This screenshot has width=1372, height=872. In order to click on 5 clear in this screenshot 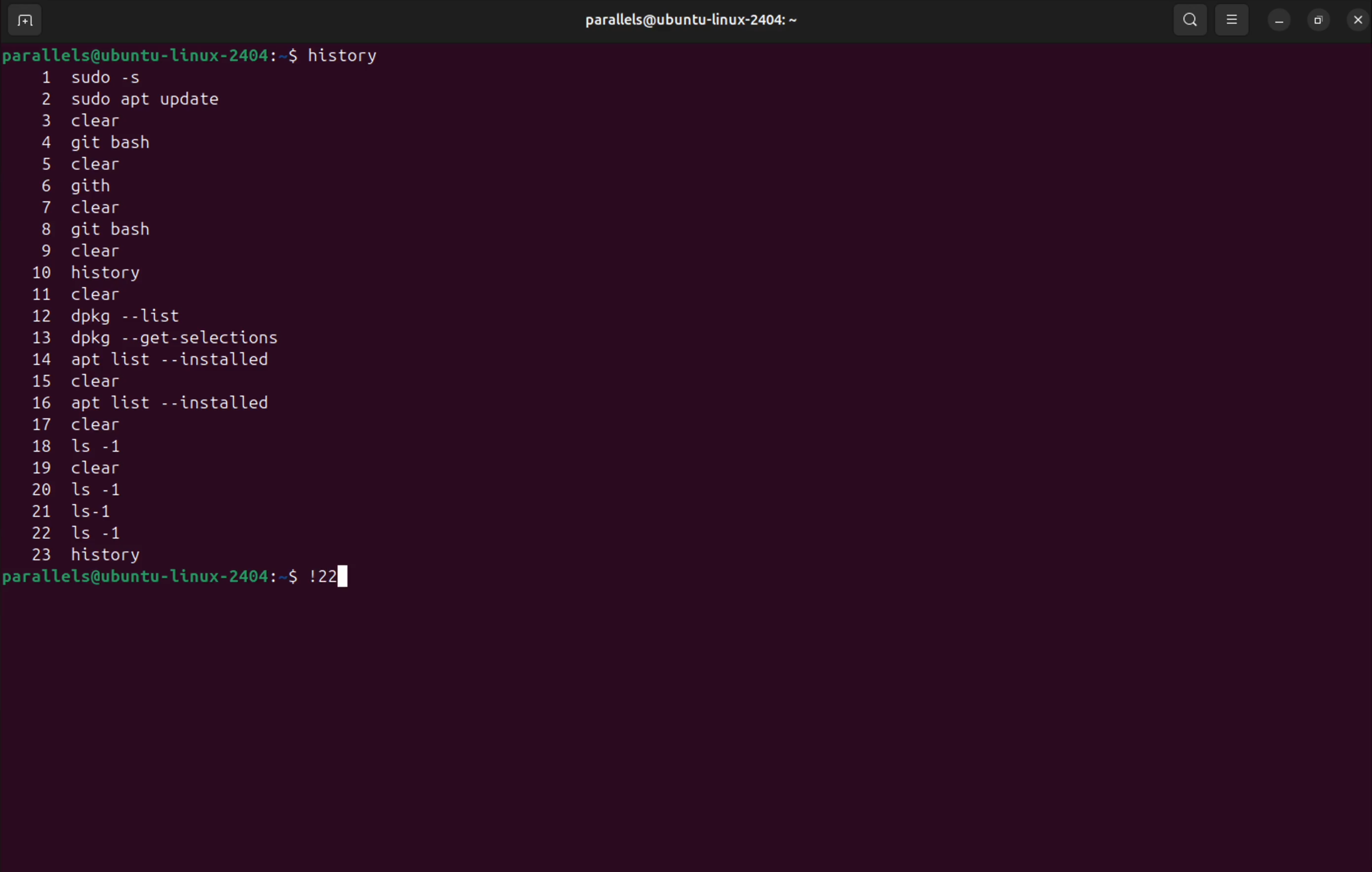, I will do `click(89, 165)`.